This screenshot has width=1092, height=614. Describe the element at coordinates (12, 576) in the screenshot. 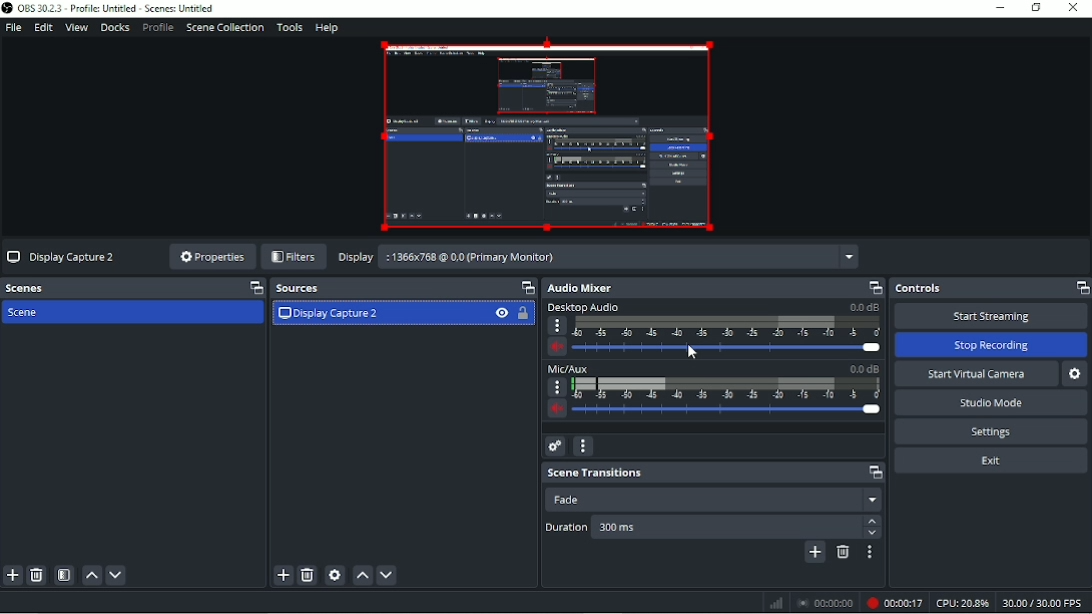

I see `Add scen` at that location.